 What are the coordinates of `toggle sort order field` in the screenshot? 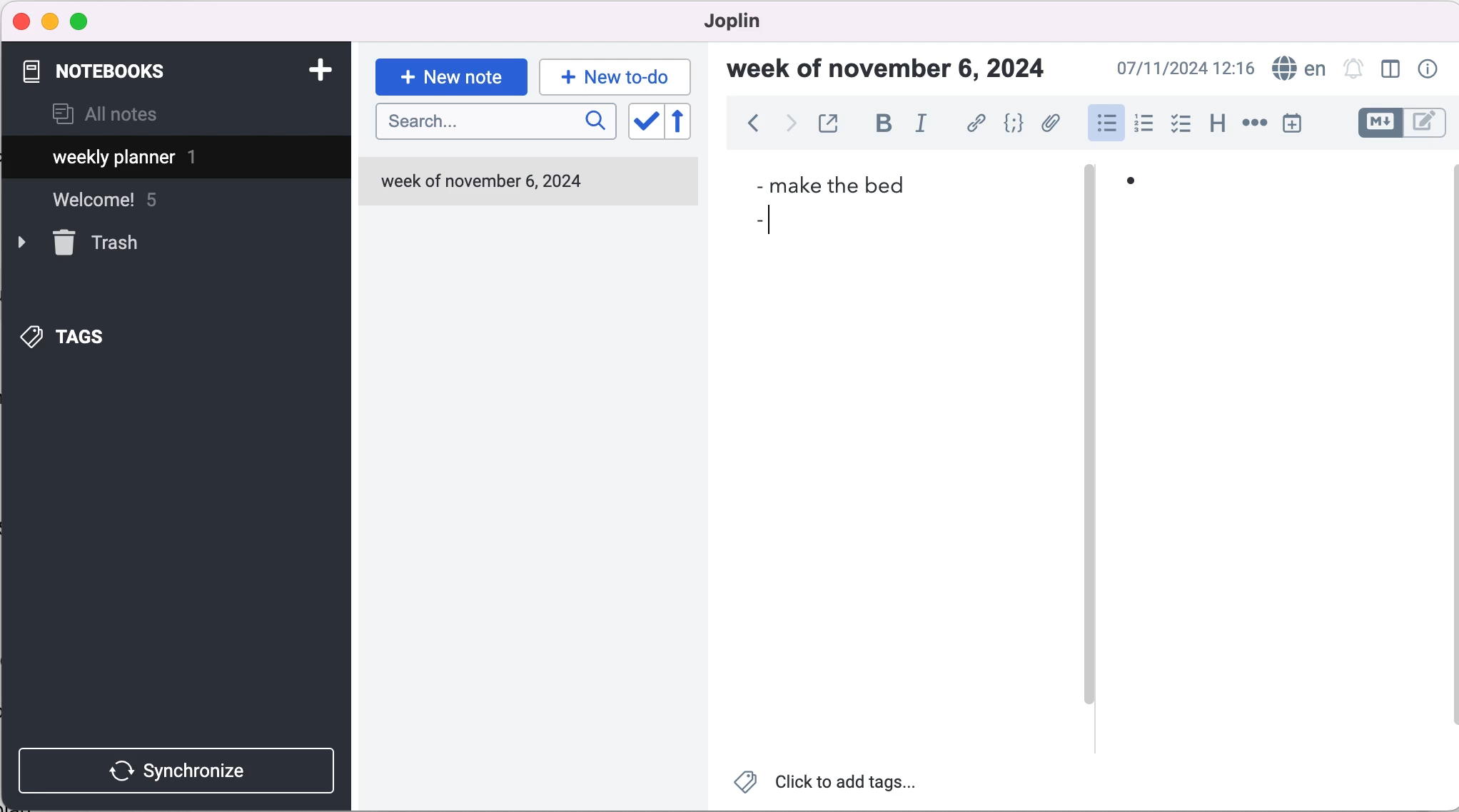 It's located at (644, 126).